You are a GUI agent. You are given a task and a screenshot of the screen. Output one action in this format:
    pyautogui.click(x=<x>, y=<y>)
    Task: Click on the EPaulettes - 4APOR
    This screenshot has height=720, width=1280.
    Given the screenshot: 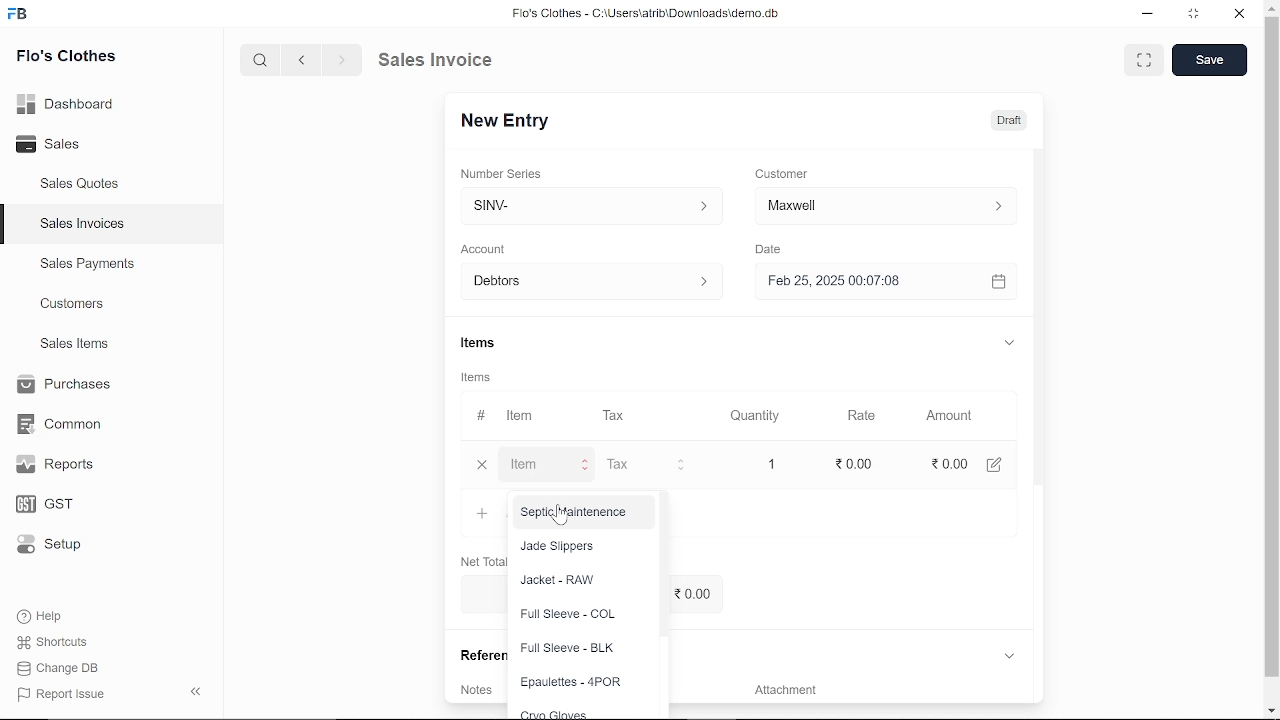 What is the action you would take?
    pyautogui.click(x=569, y=683)
    